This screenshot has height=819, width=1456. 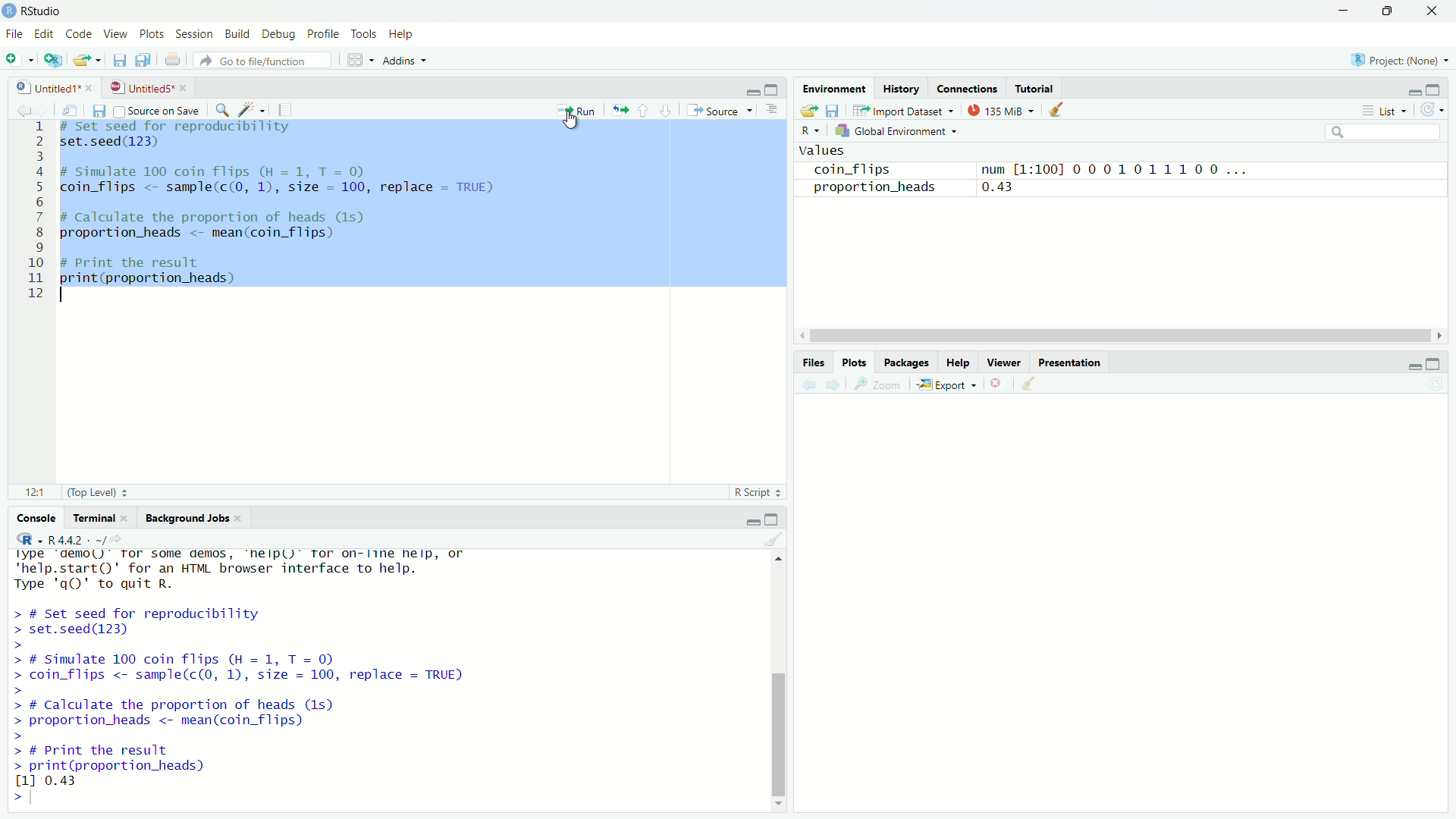 I want to click on scrollbar, so click(x=777, y=682).